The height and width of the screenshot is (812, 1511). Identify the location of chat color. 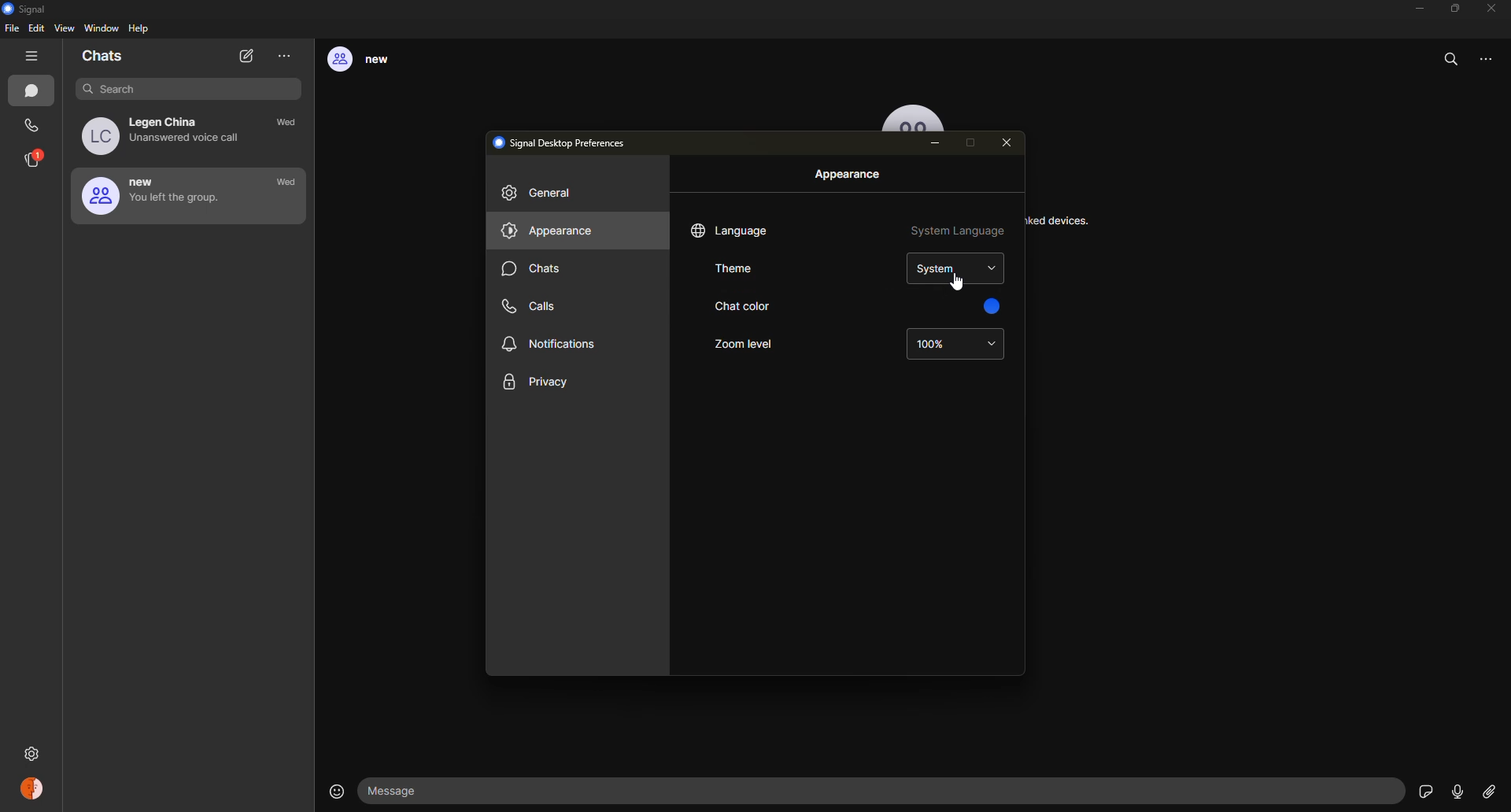
(739, 308).